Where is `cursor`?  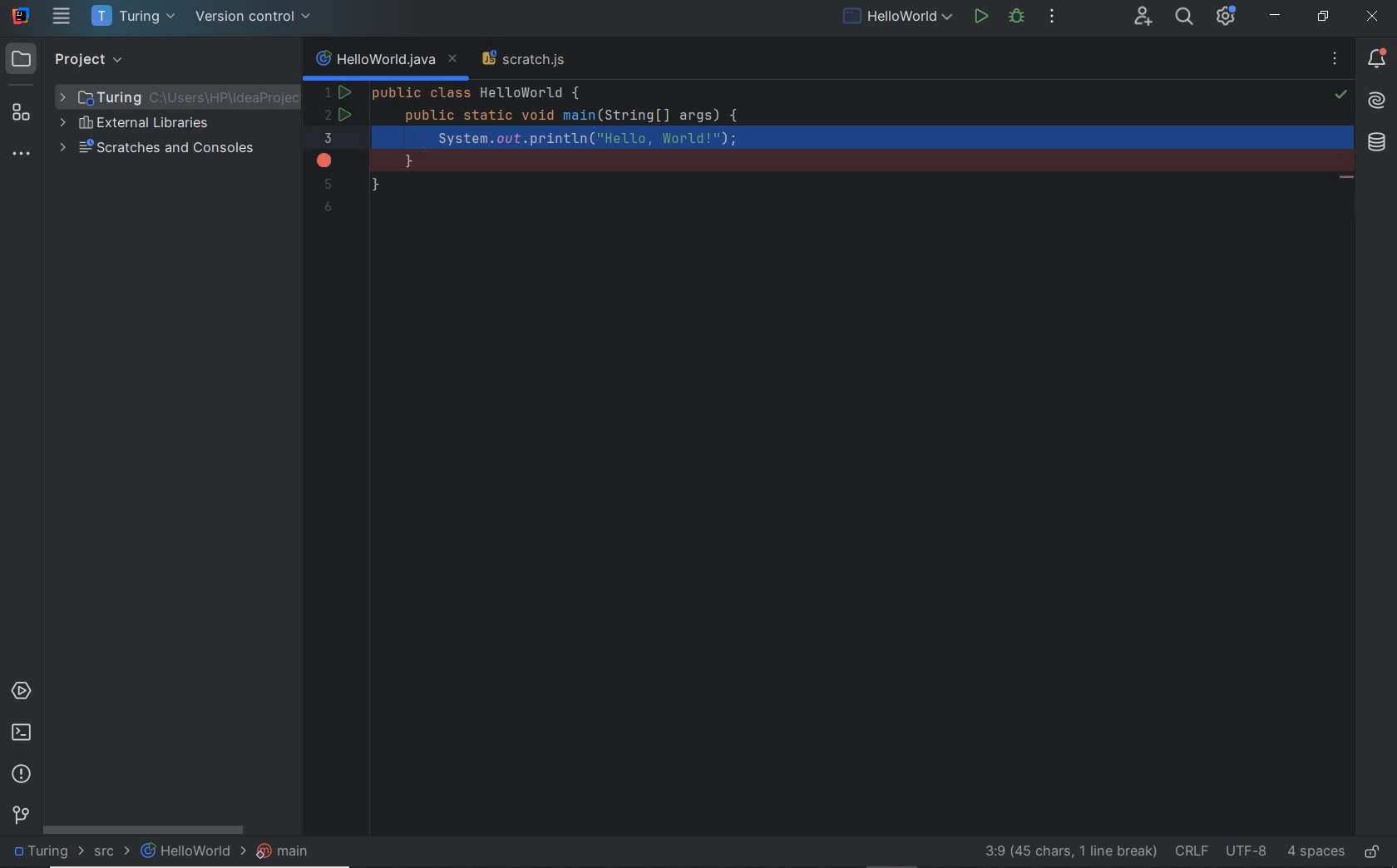 cursor is located at coordinates (418, 143).